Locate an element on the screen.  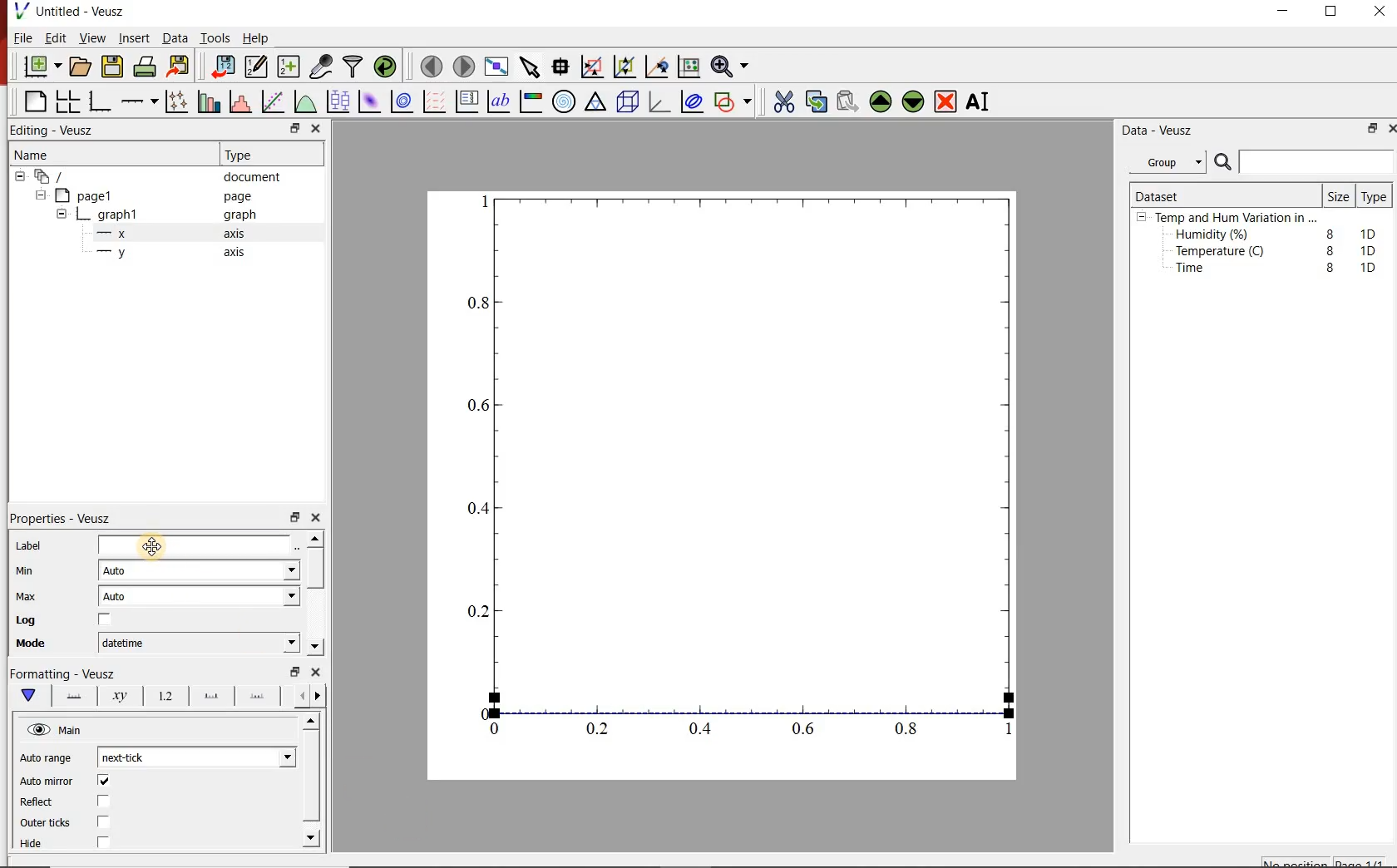
hide sub menu is located at coordinates (43, 197).